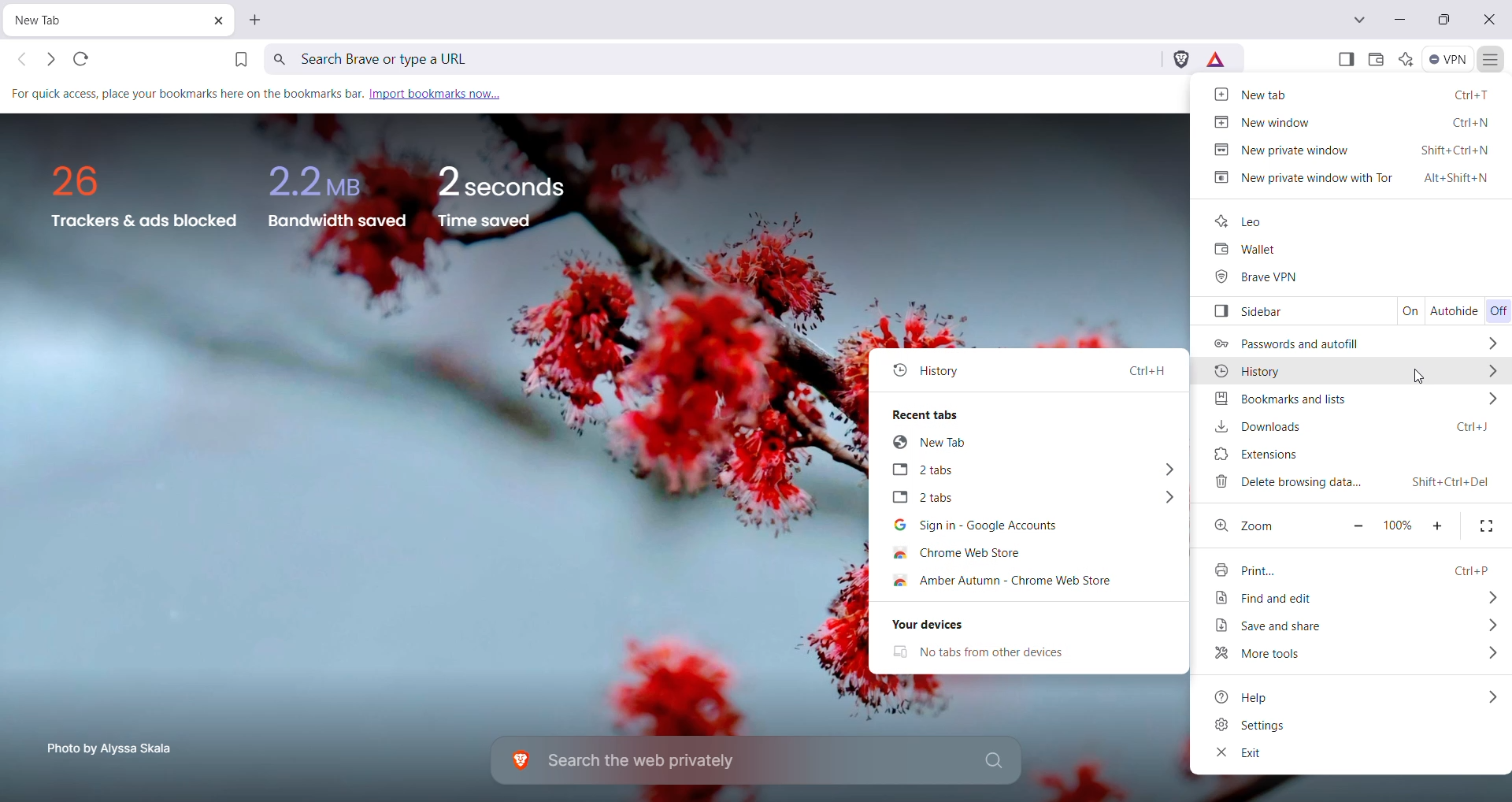 The width and height of the screenshot is (1512, 802). I want to click on 100%, so click(1396, 523).